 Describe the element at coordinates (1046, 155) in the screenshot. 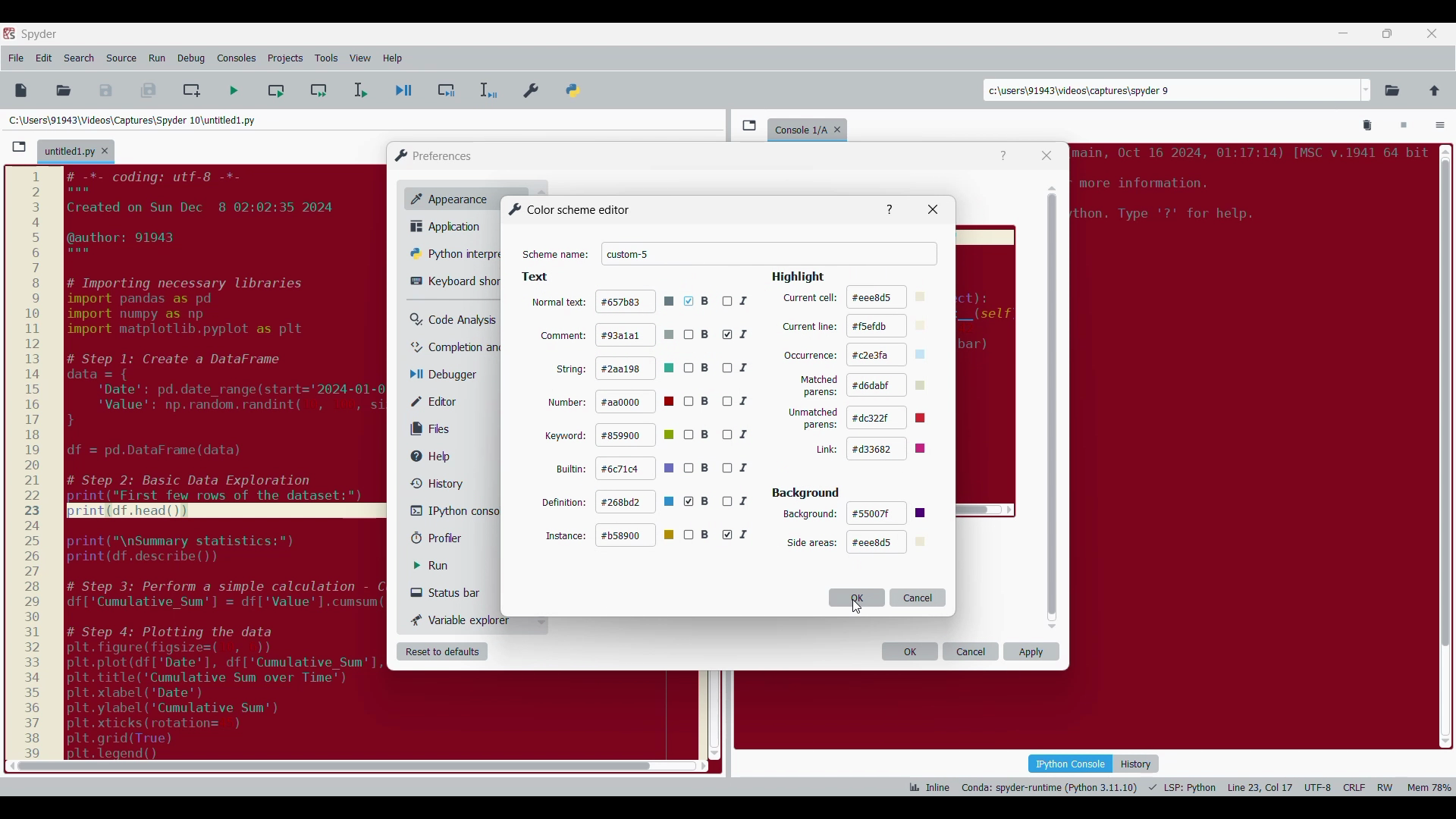

I see `Close` at that location.